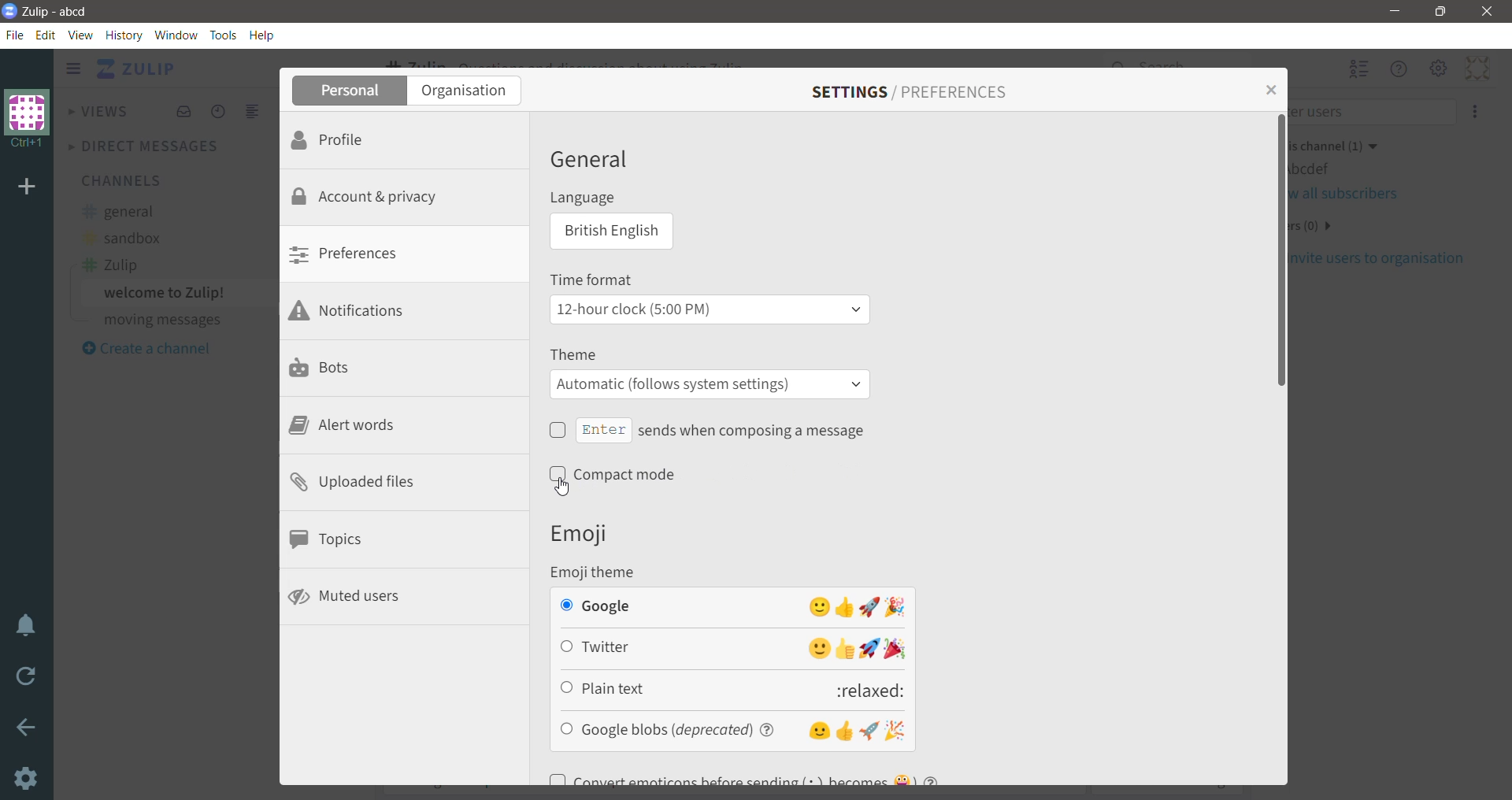 This screenshot has width=1512, height=800. What do you see at coordinates (100, 109) in the screenshot?
I see `Views` at bounding box center [100, 109].